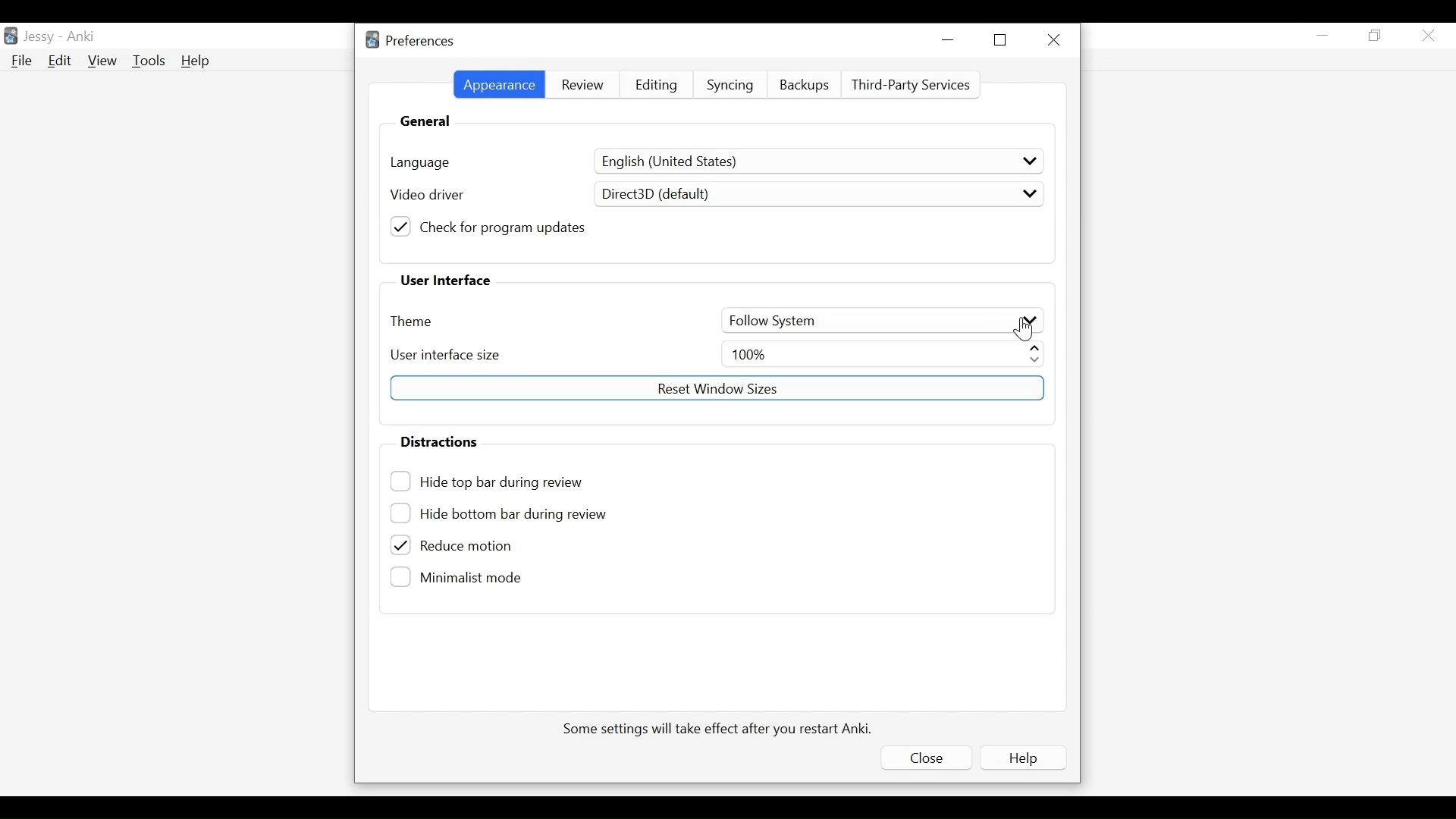 The height and width of the screenshot is (819, 1456). What do you see at coordinates (501, 515) in the screenshot?
I see `Hide bottom bar during review` at bounding box center [501, 515].